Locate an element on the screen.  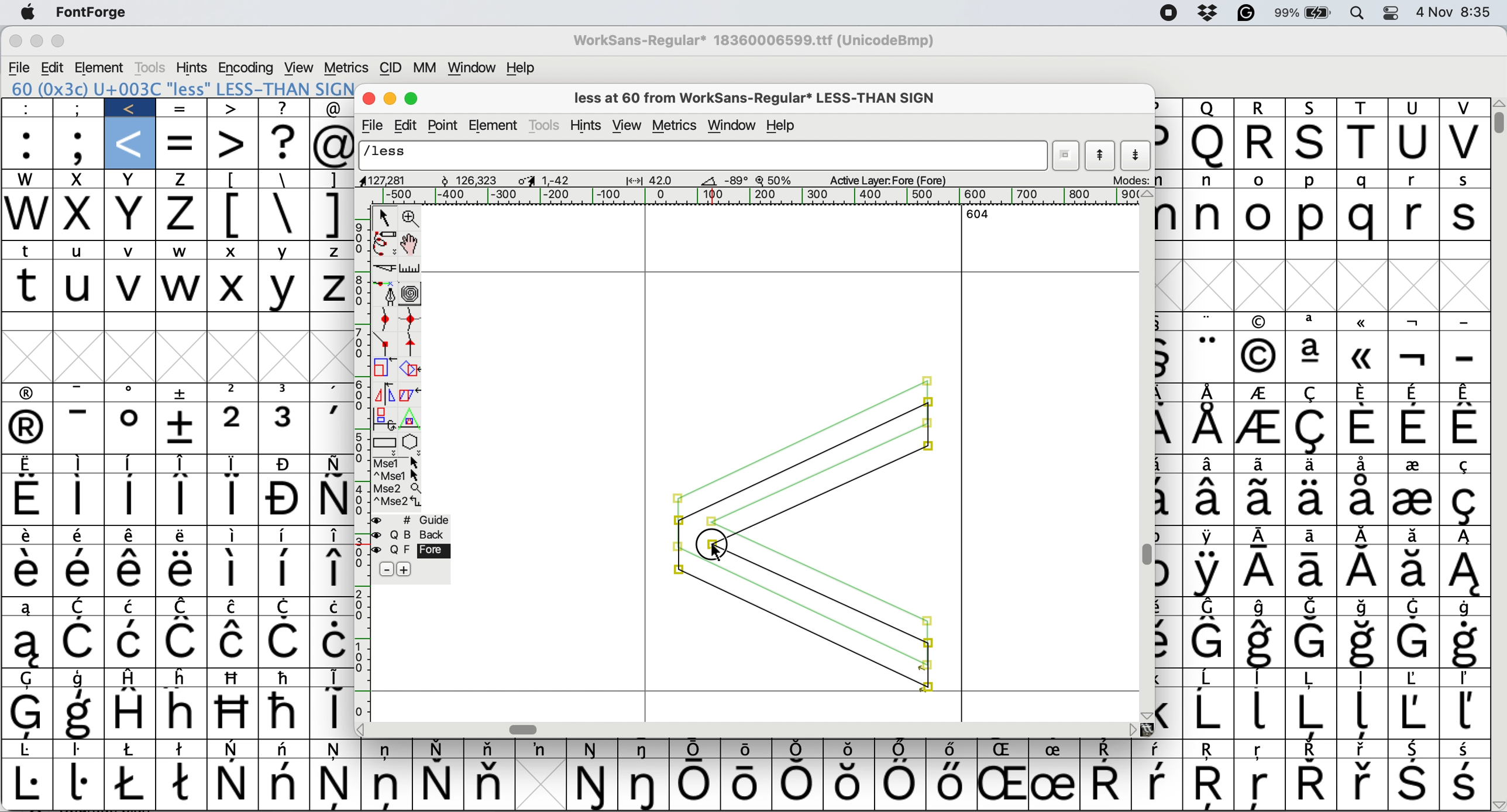
u is located at coordinates (1416, 108).